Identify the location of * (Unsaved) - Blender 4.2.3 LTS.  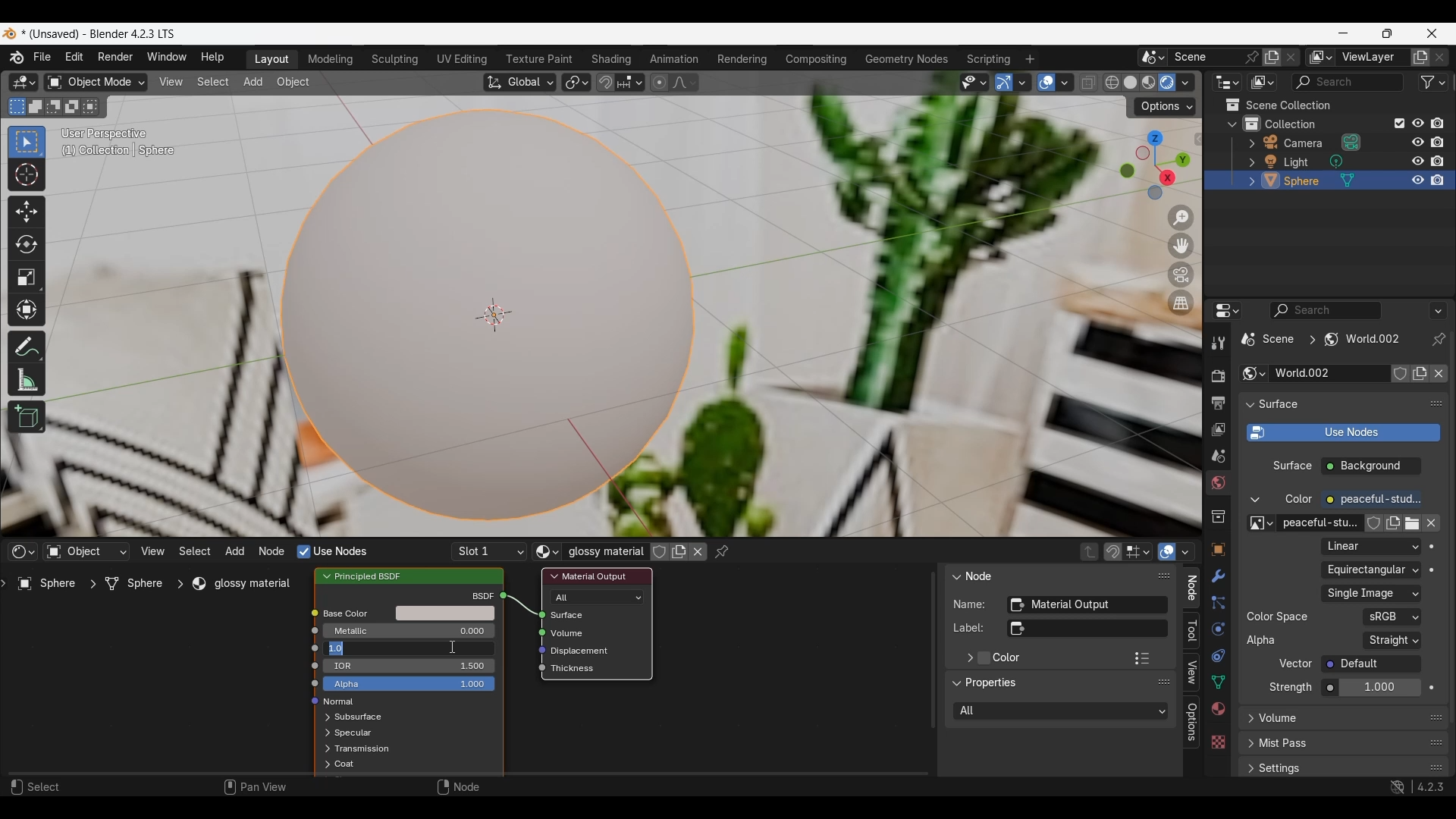
(103, 34).